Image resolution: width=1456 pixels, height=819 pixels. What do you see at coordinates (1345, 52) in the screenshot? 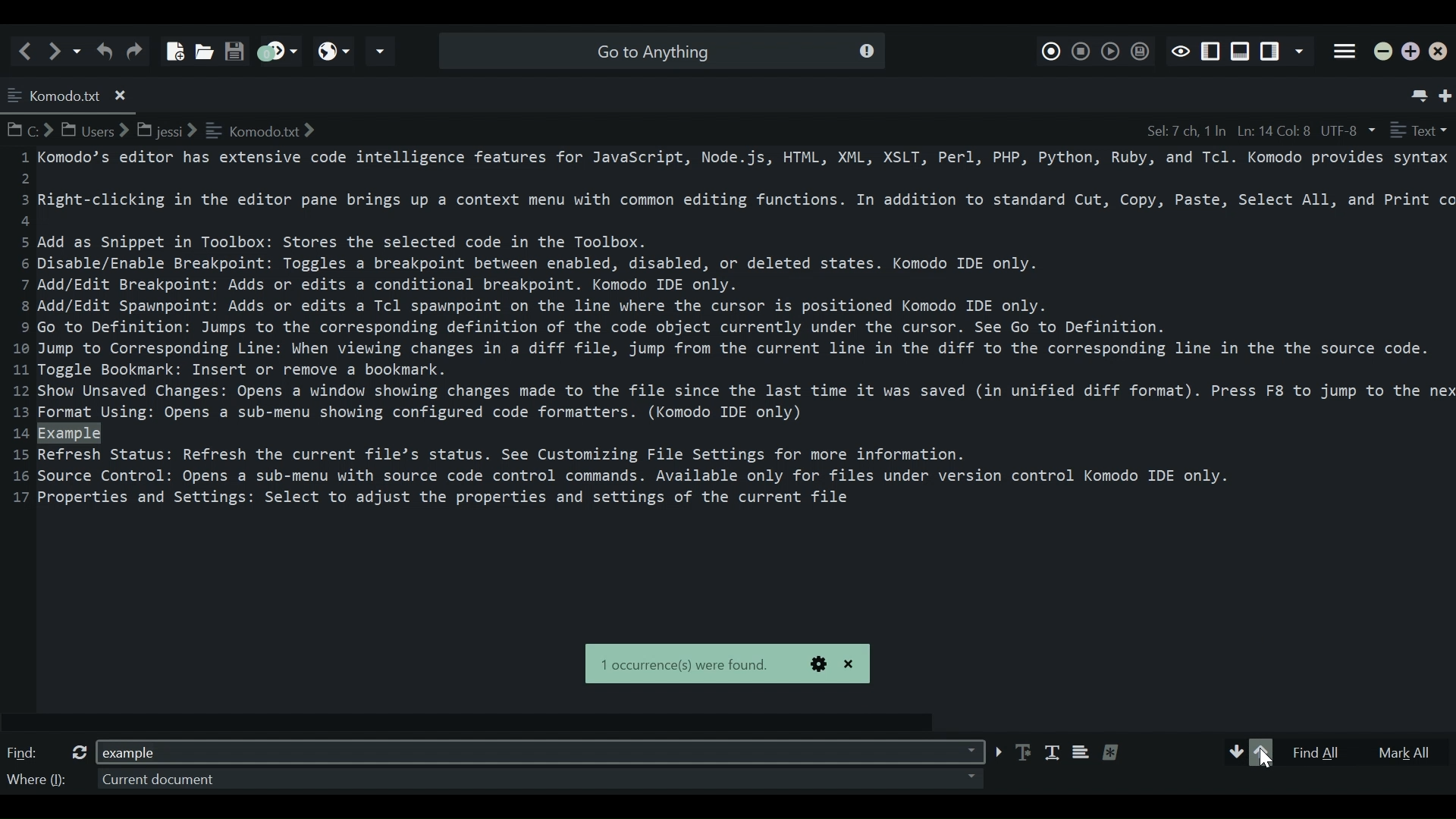
I see `Application menu` at bounding box center [1345, 52].